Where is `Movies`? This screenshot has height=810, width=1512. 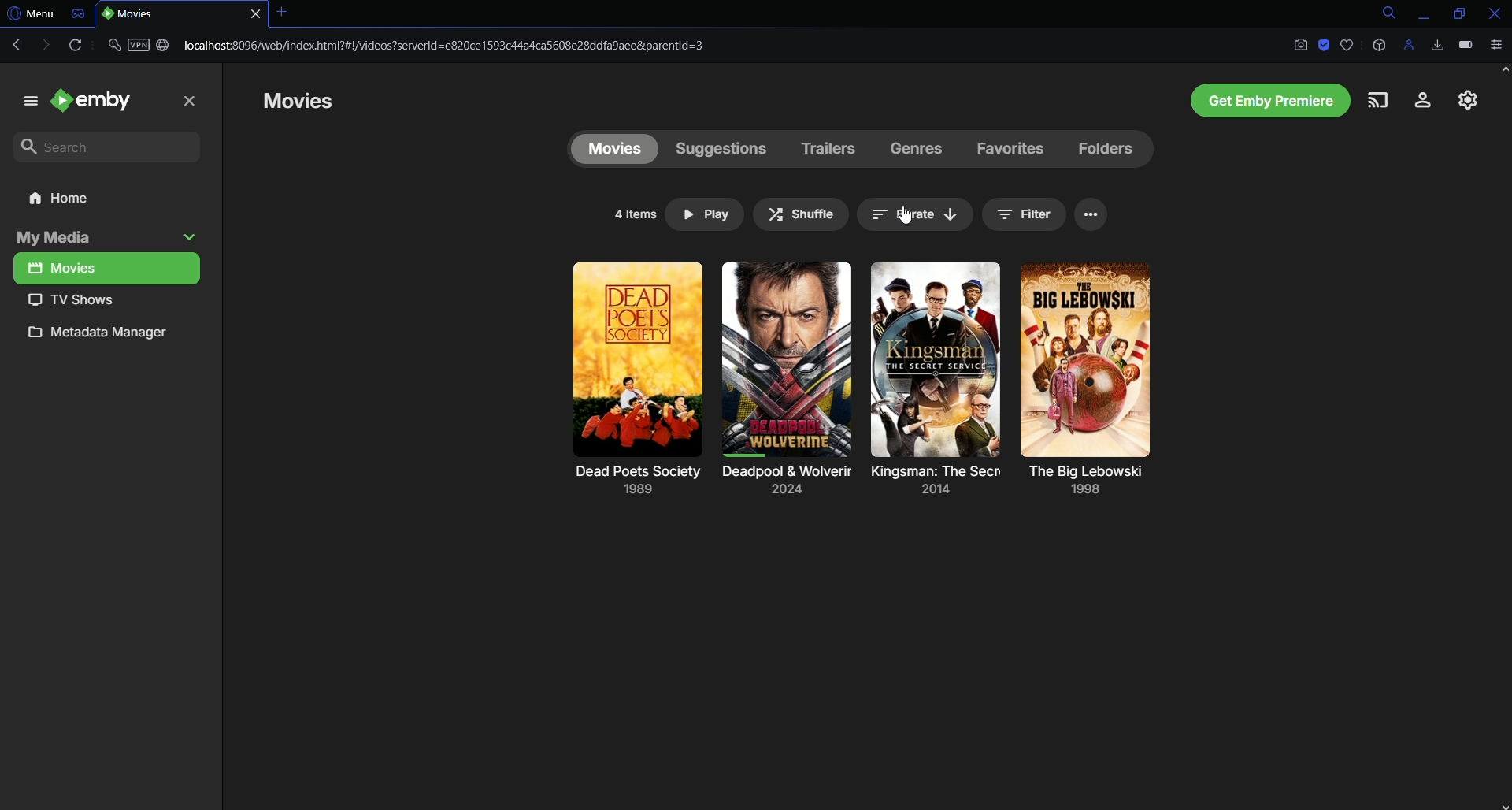
Movies is located at coordinates (610, 150).